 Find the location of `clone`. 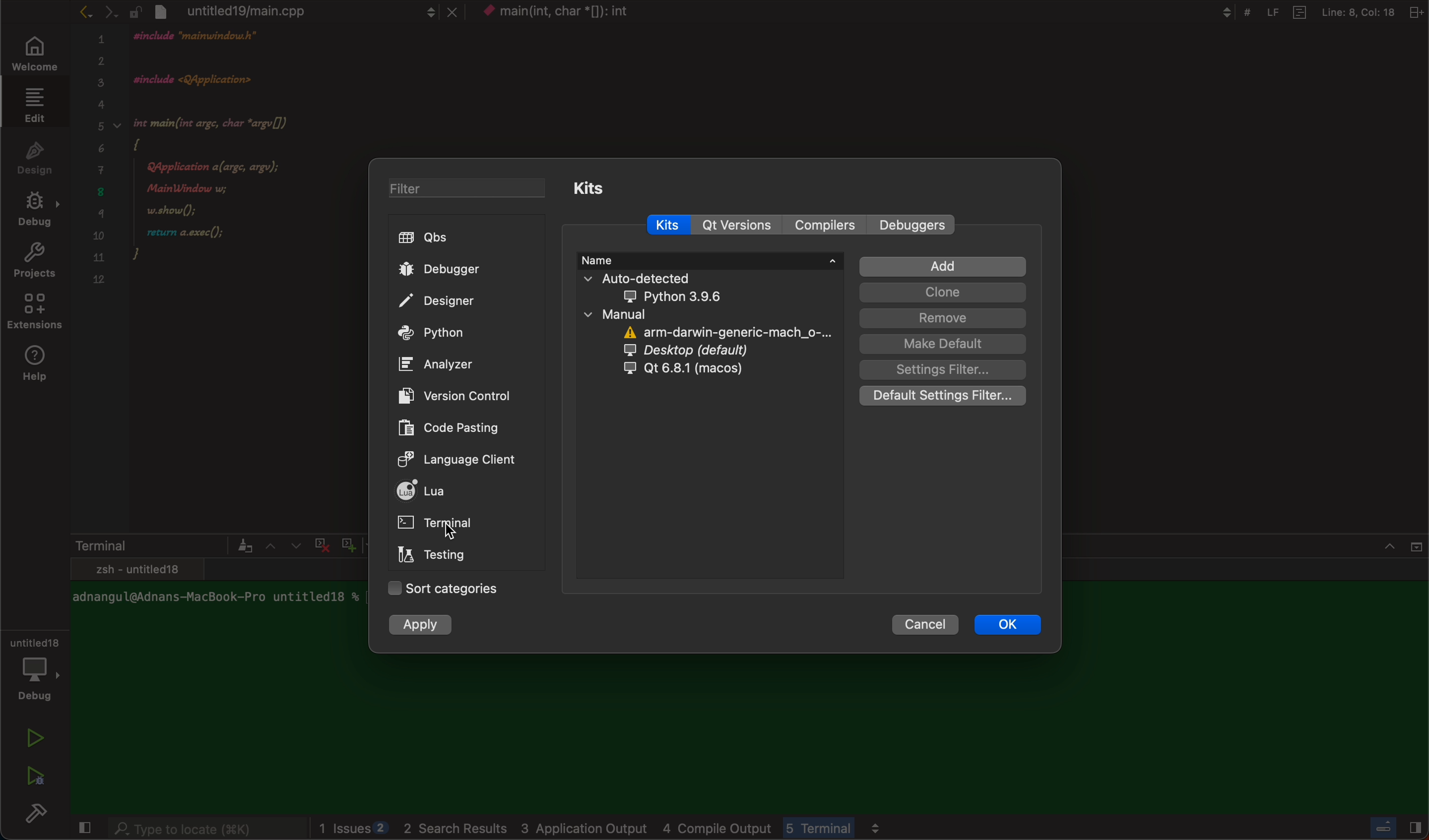

clone is located at coordinates (942, 292).